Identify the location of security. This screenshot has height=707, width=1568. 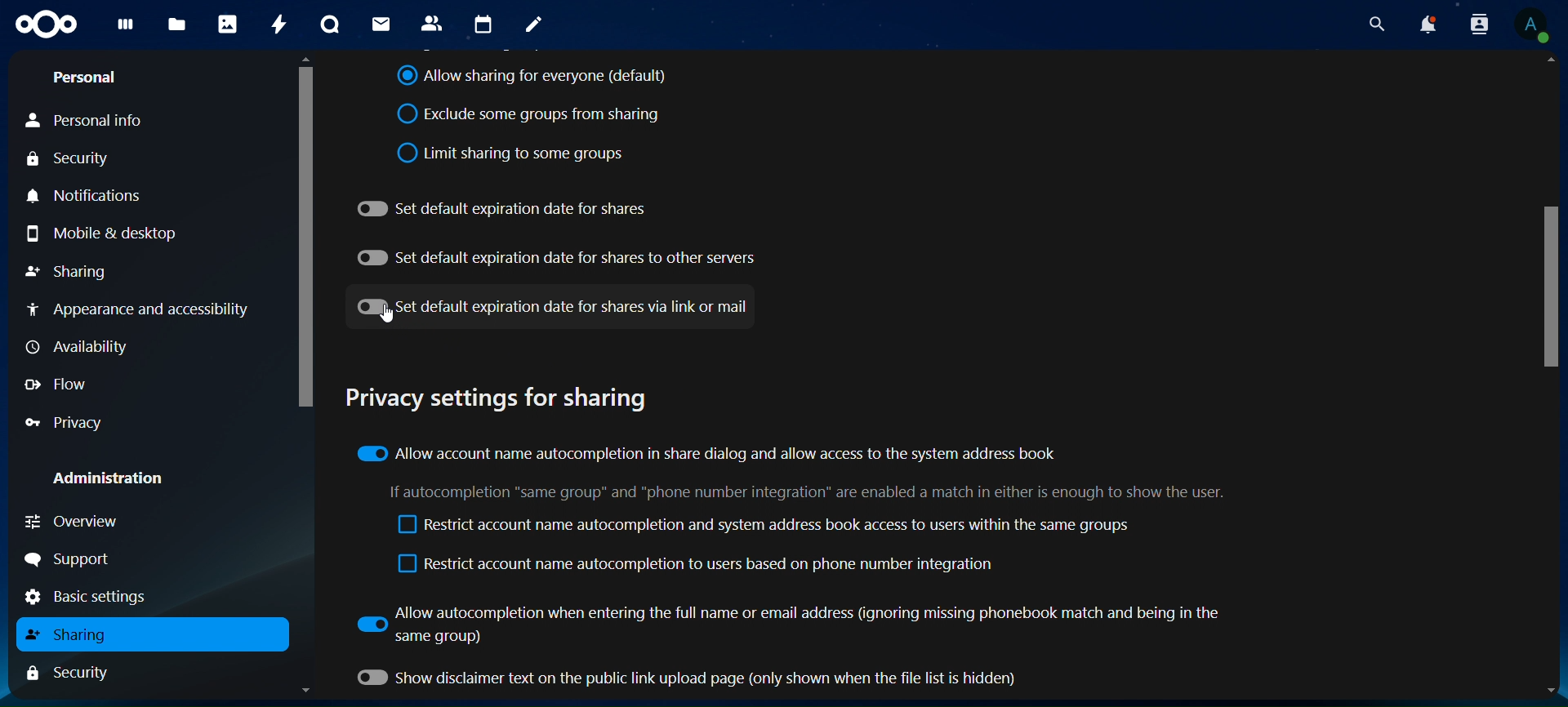
(77, 673).